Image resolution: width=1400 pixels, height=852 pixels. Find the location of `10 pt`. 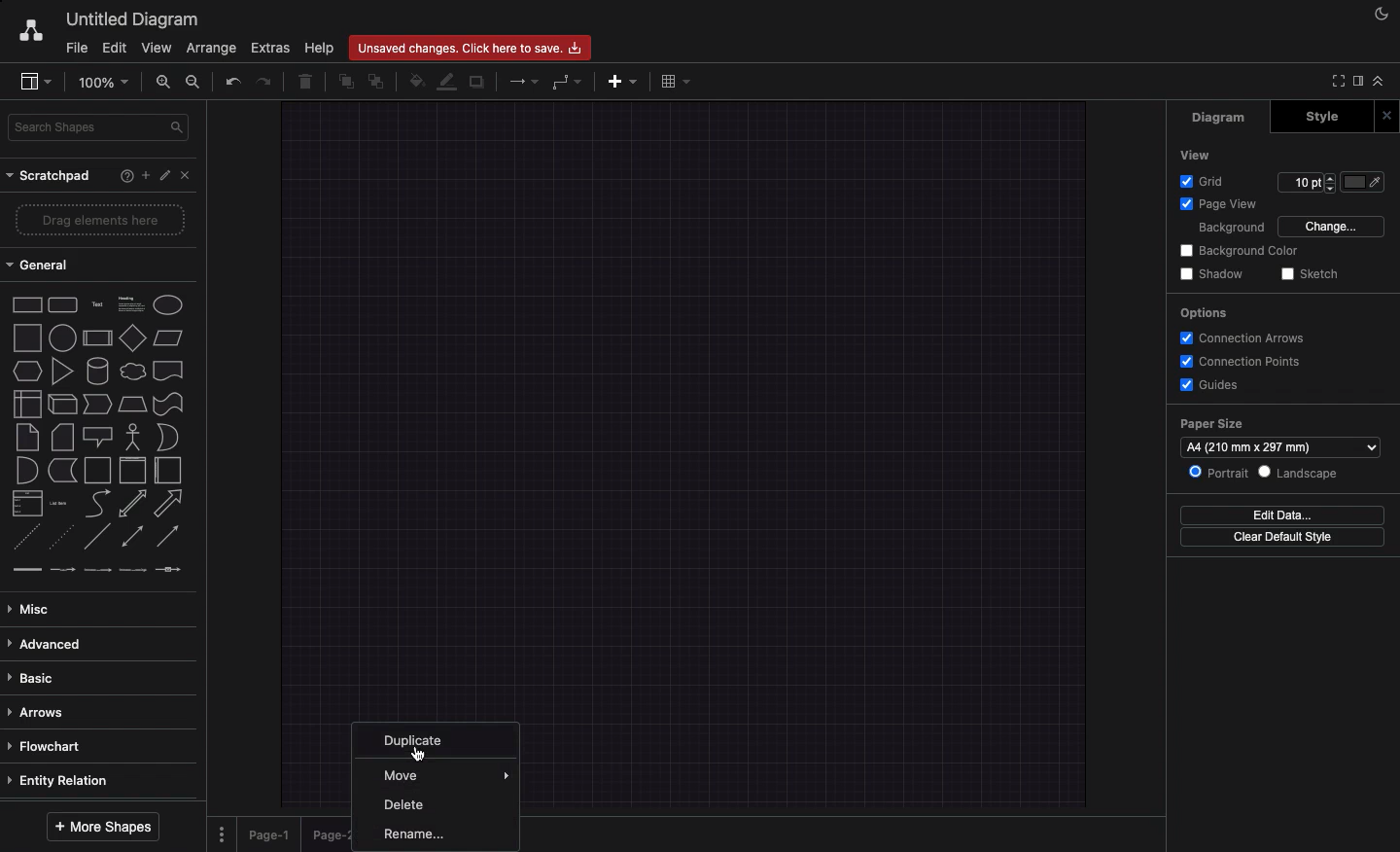

10 pt is located at coordinates (1300, 185).